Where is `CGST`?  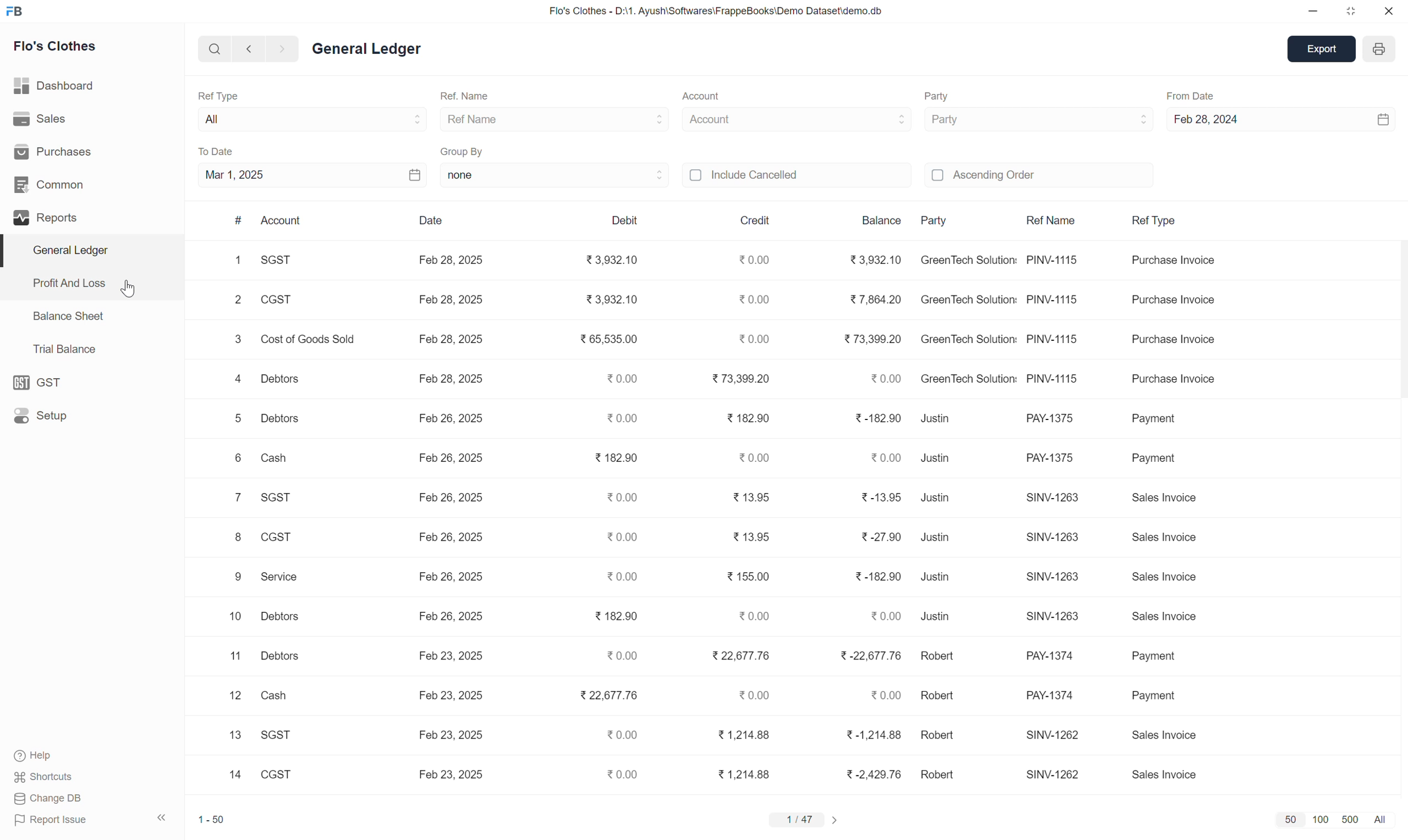
CGST is located at coordinates (279, 539).